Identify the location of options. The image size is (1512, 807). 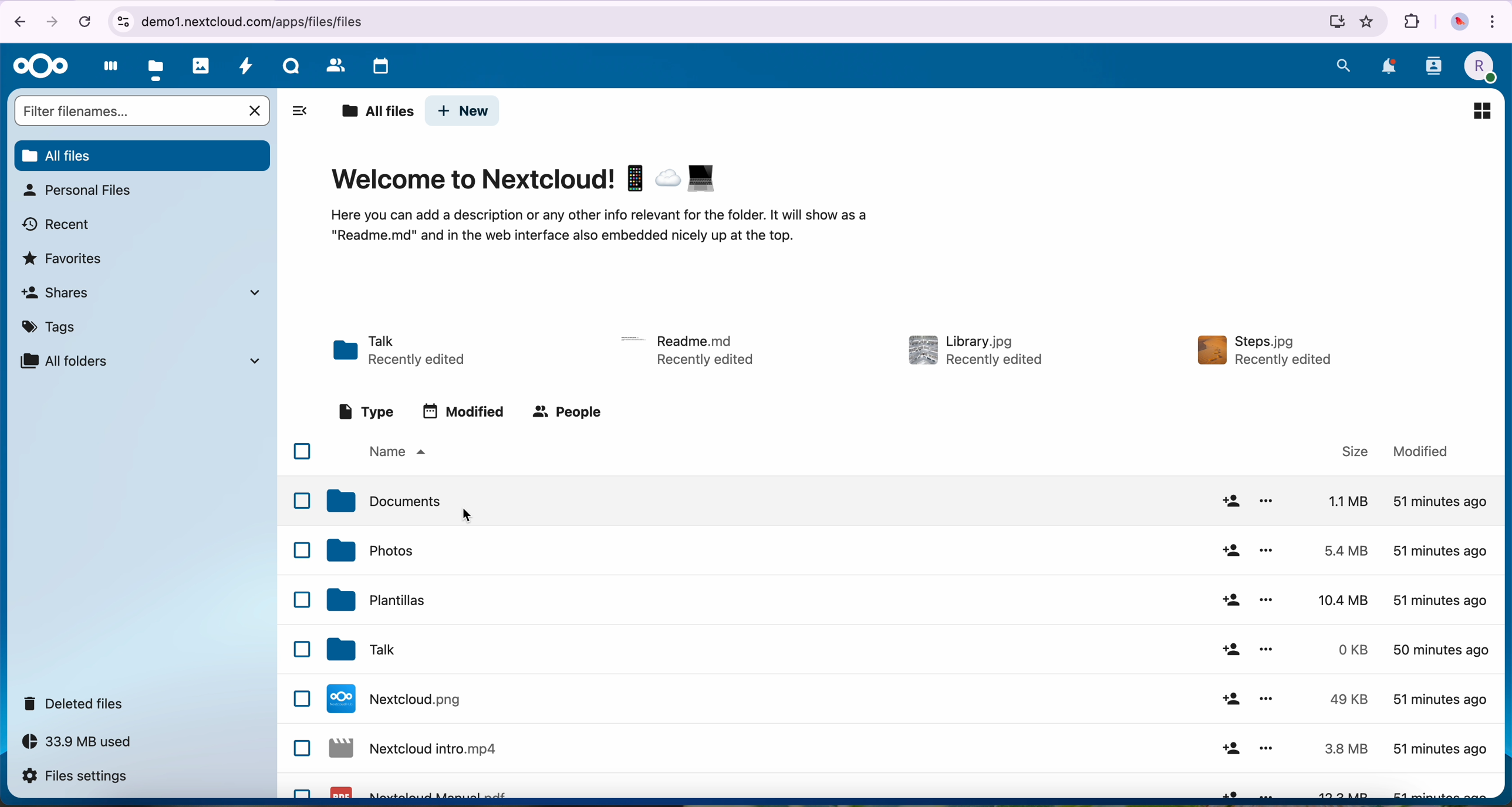
(1265, 549).